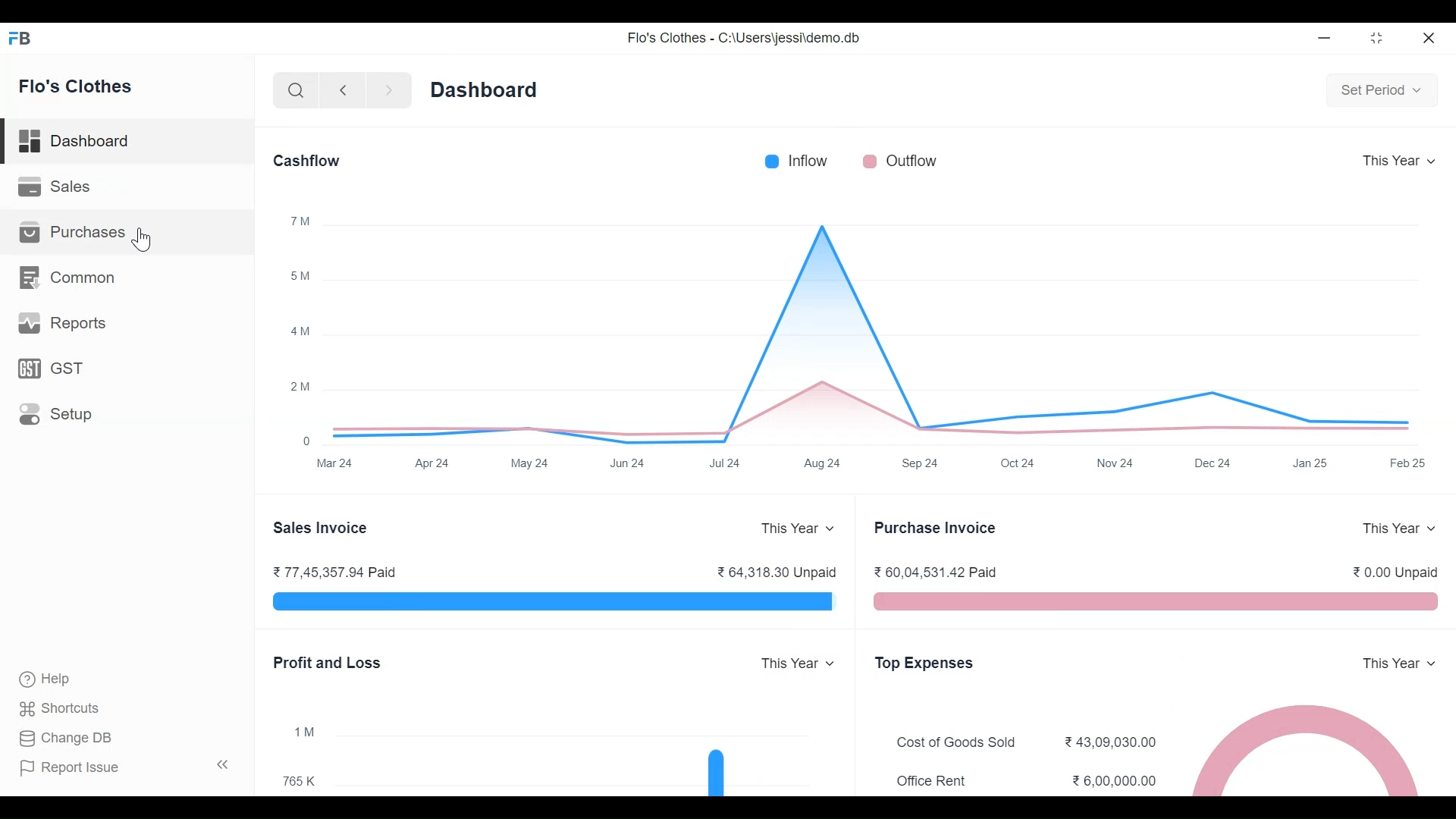 The height and width of the screenshot is (819, 1456). What do you see at coordinates (922, 462) in the screenshot?
I see `Sep 24` at bounding box center [922, 462].